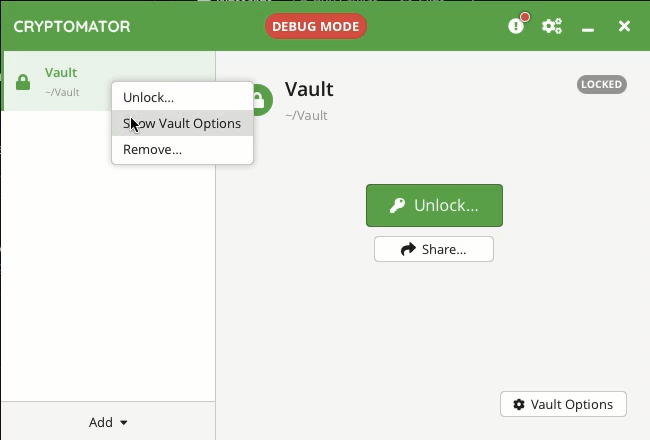 The image size is (650, 440). I want to click on Show Vault Options, so click(185, 124).